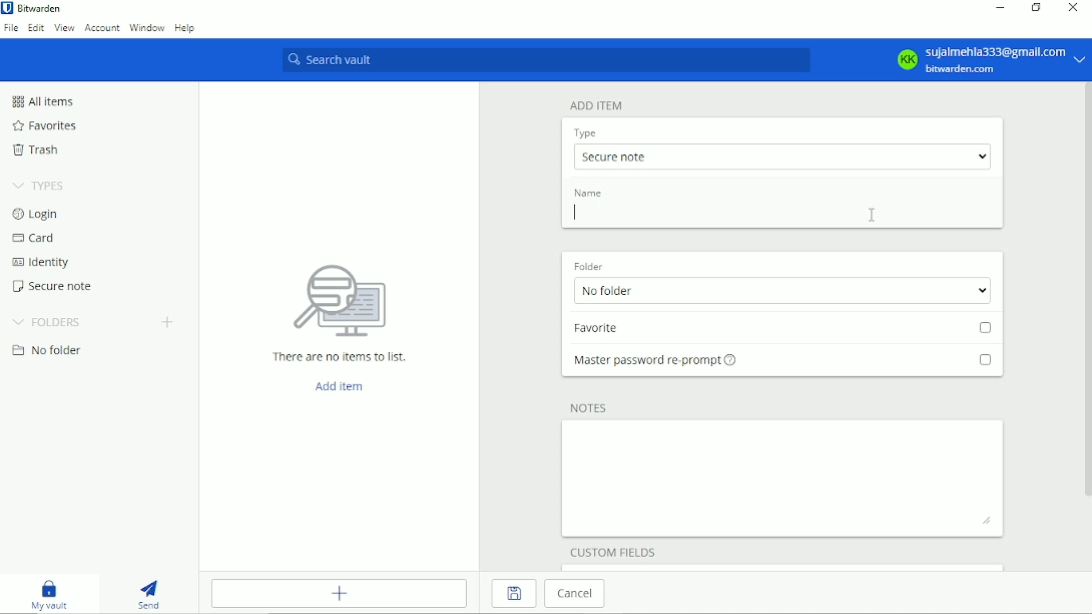 The width and height of the screenshot is (1092, 614). Describe the element at coordinates (48, 321) in the screenshot. I see `Folders` at that location.